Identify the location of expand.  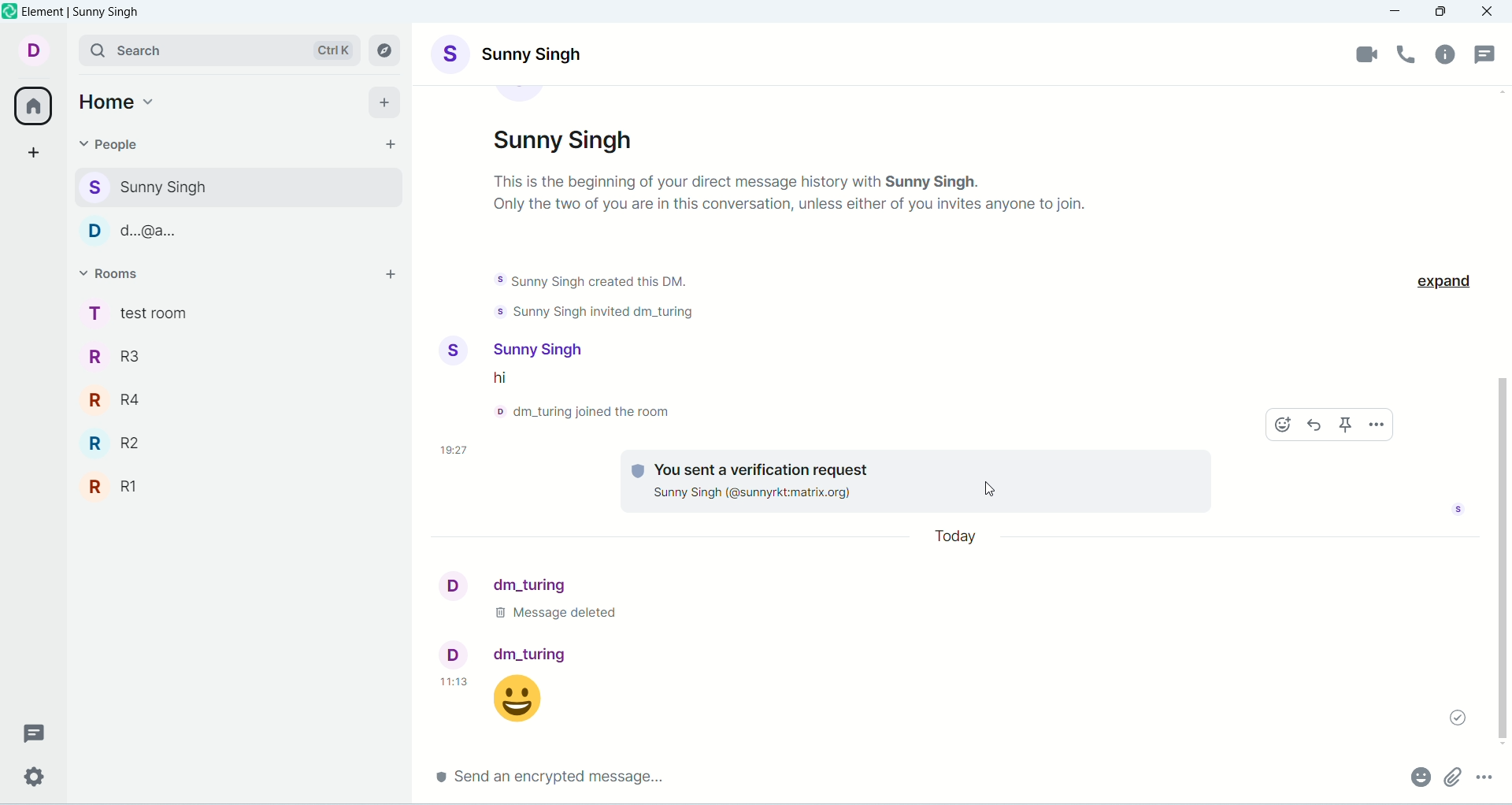
(1453, 286).